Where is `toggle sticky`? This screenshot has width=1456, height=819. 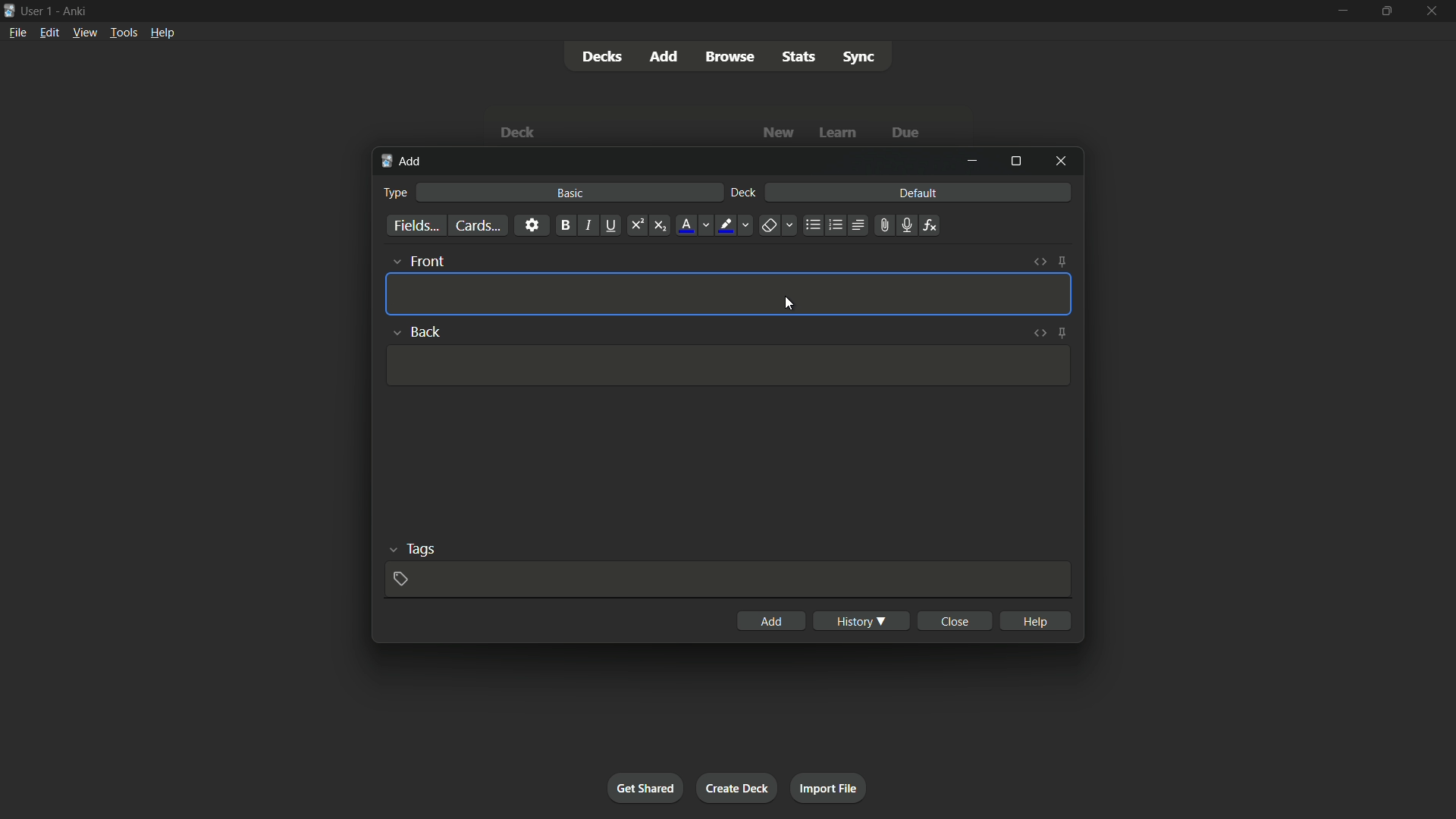
toggle sticky is located at coordinates (1062, 262).